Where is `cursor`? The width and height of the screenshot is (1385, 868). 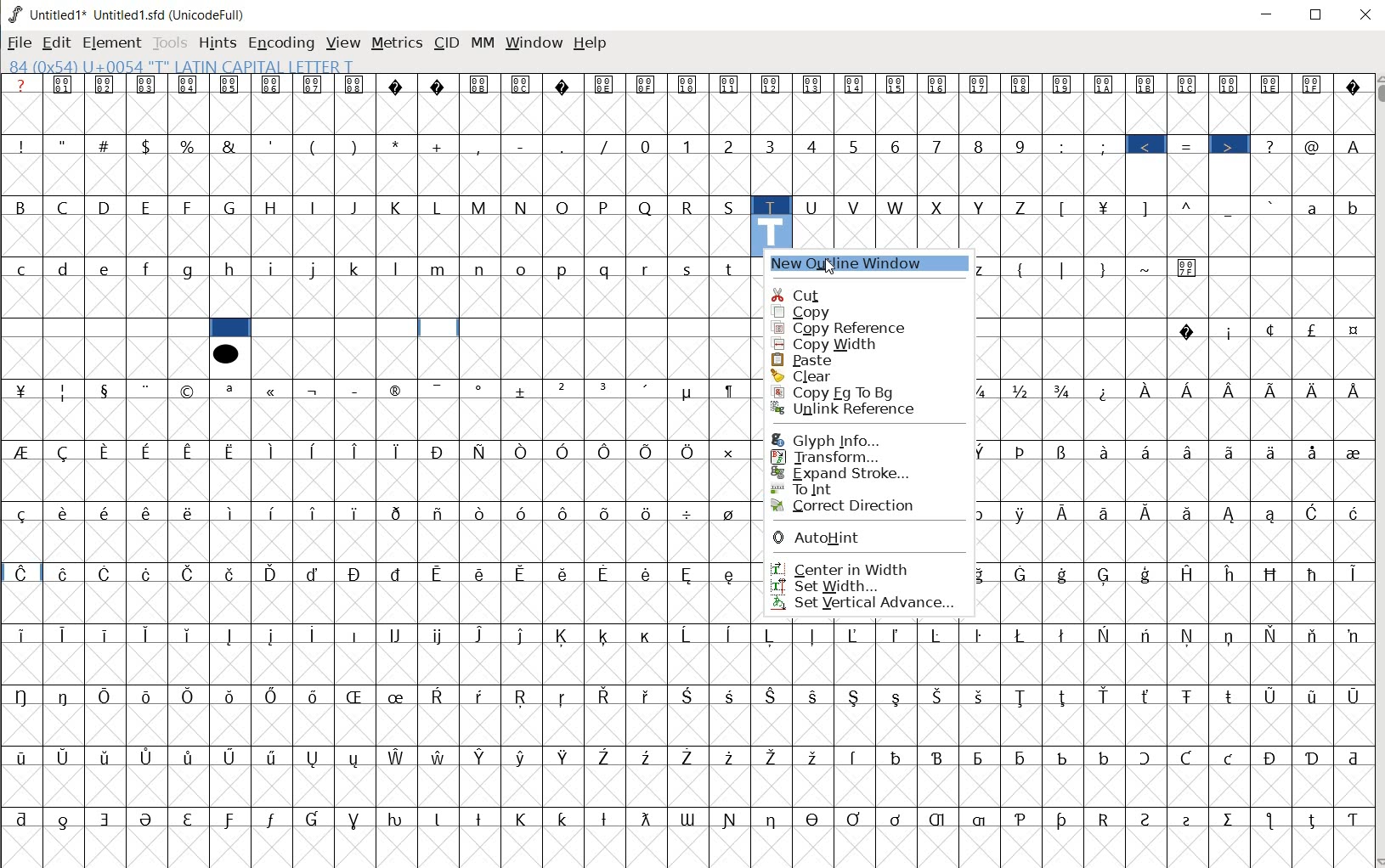
cursor is located at coordinates (831, 268).